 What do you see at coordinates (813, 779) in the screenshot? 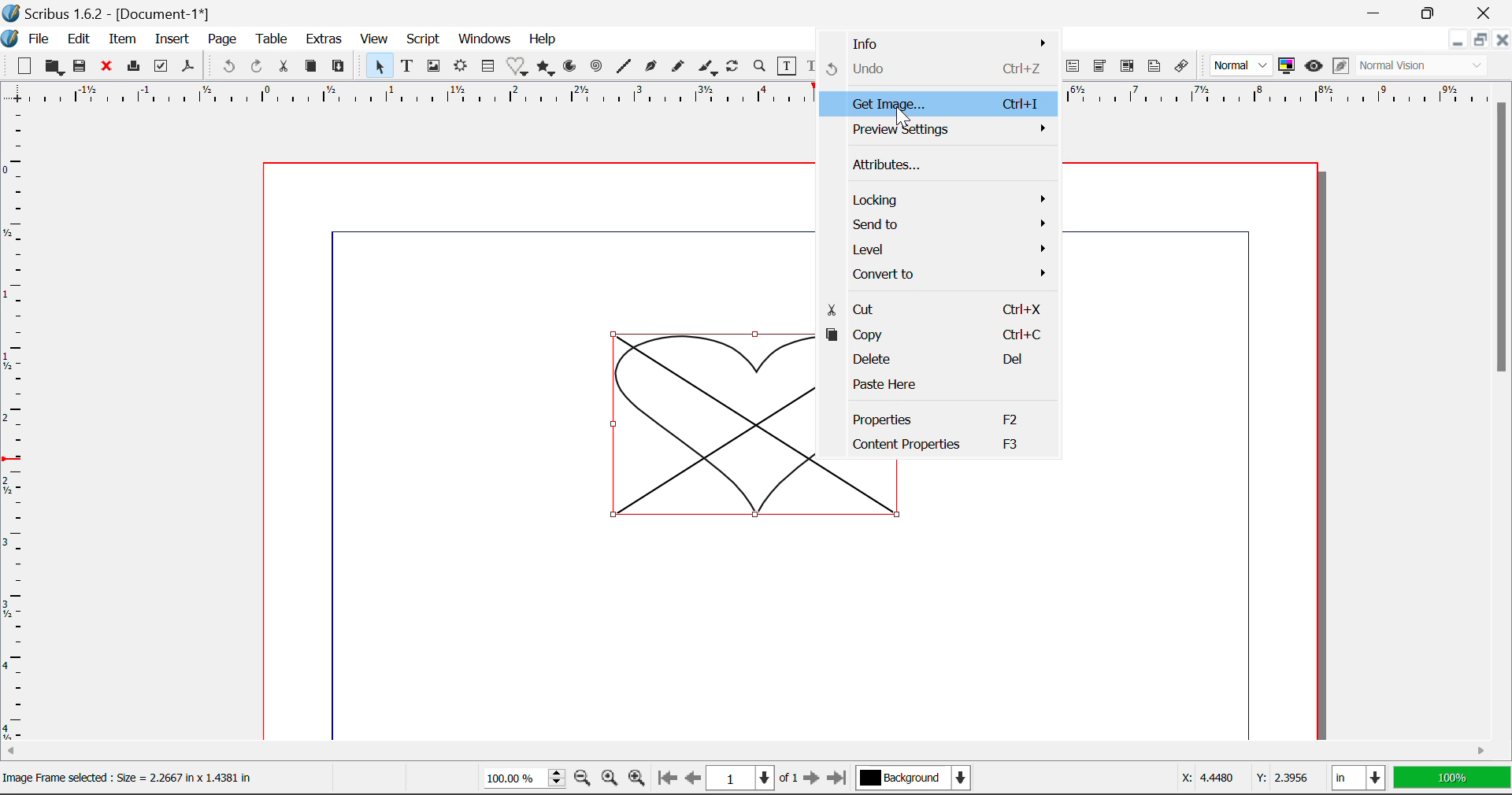
I see `Next` at bounding box center [813, 779].